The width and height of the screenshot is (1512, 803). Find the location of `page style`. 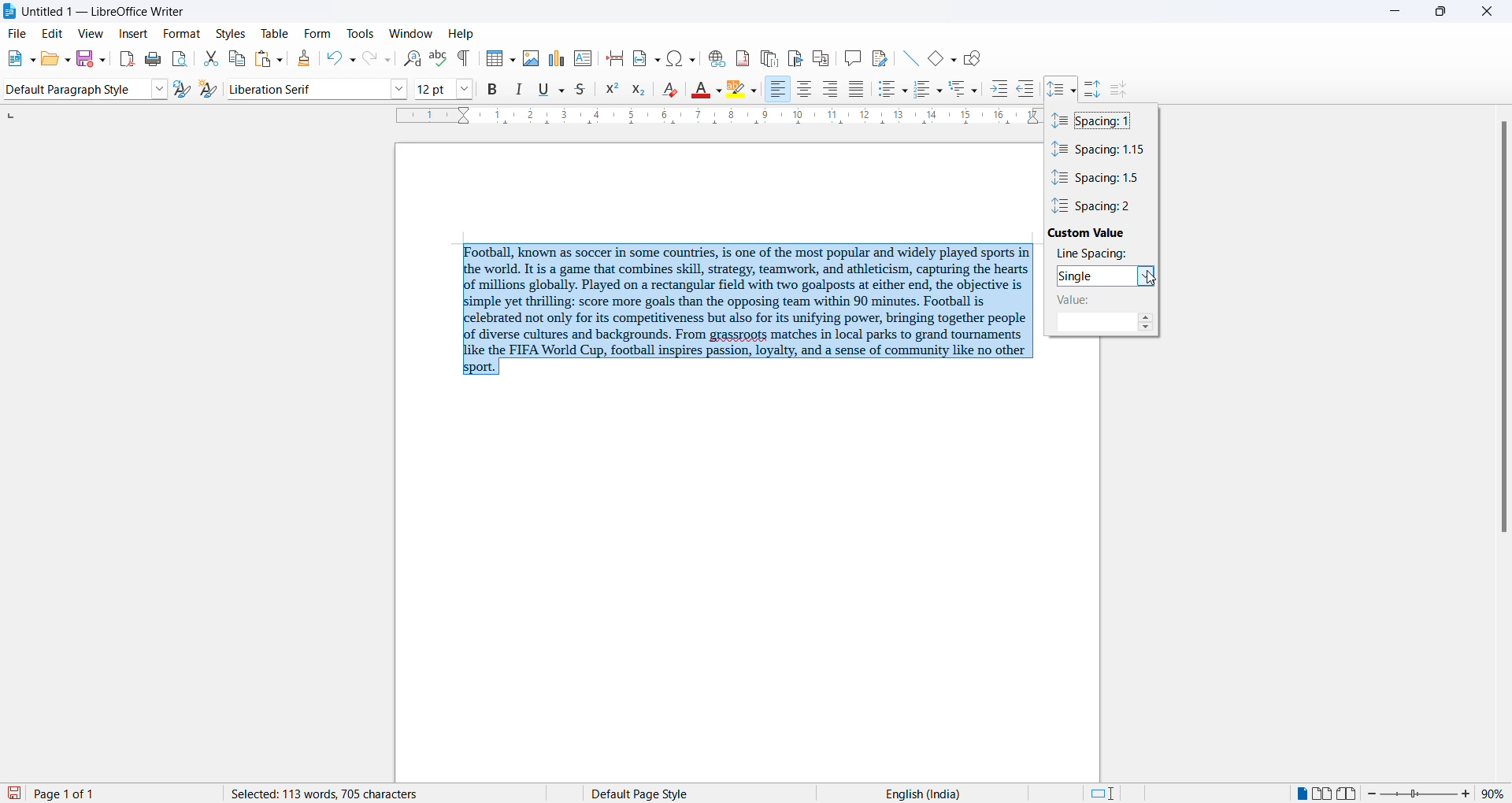

page style is located at coordinates (721, 794).